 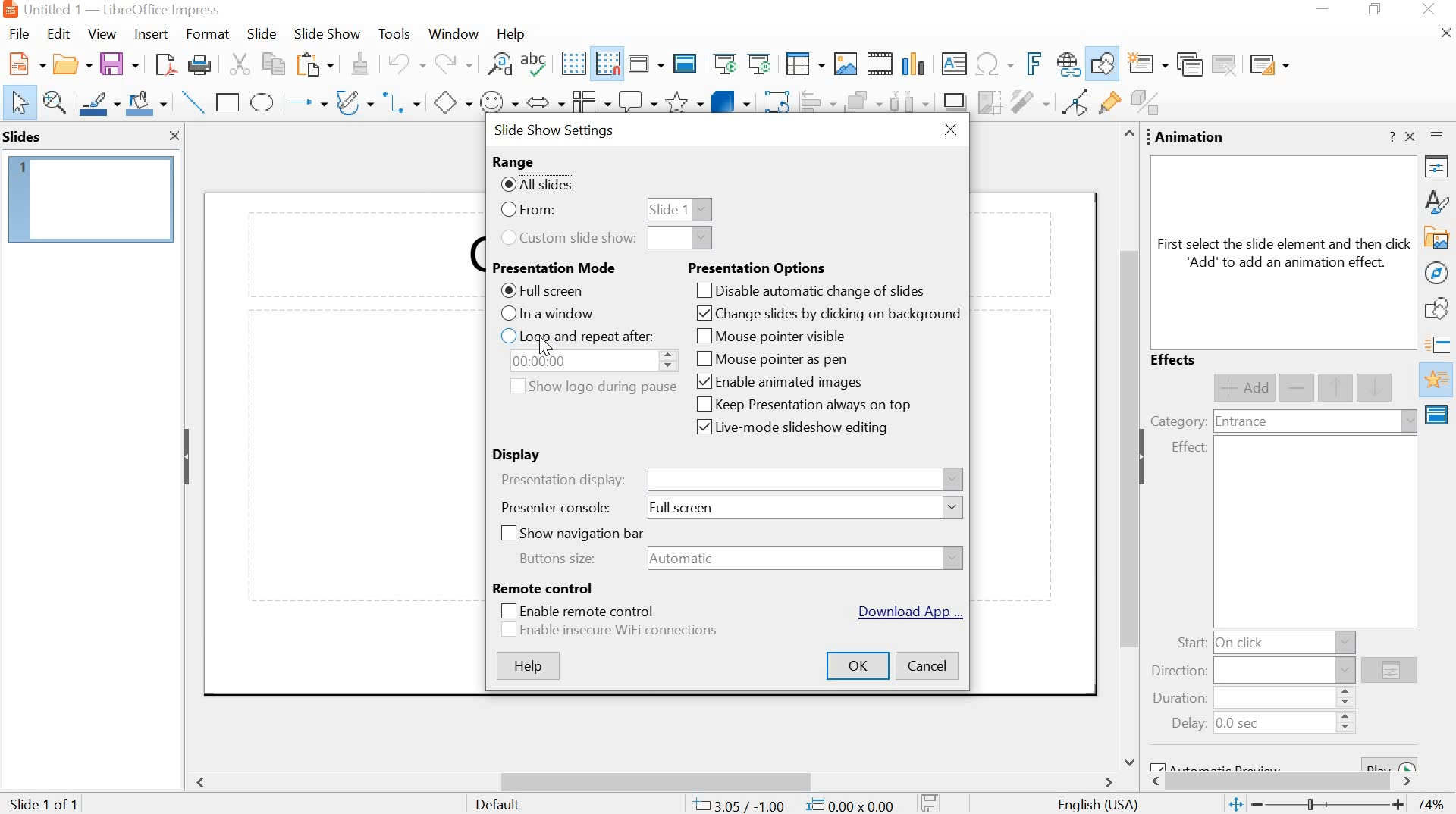 What do you see at coordinates (1331, 806) in the screenshot?
I see `adjustment bar` at bounding box center [1331, 806].